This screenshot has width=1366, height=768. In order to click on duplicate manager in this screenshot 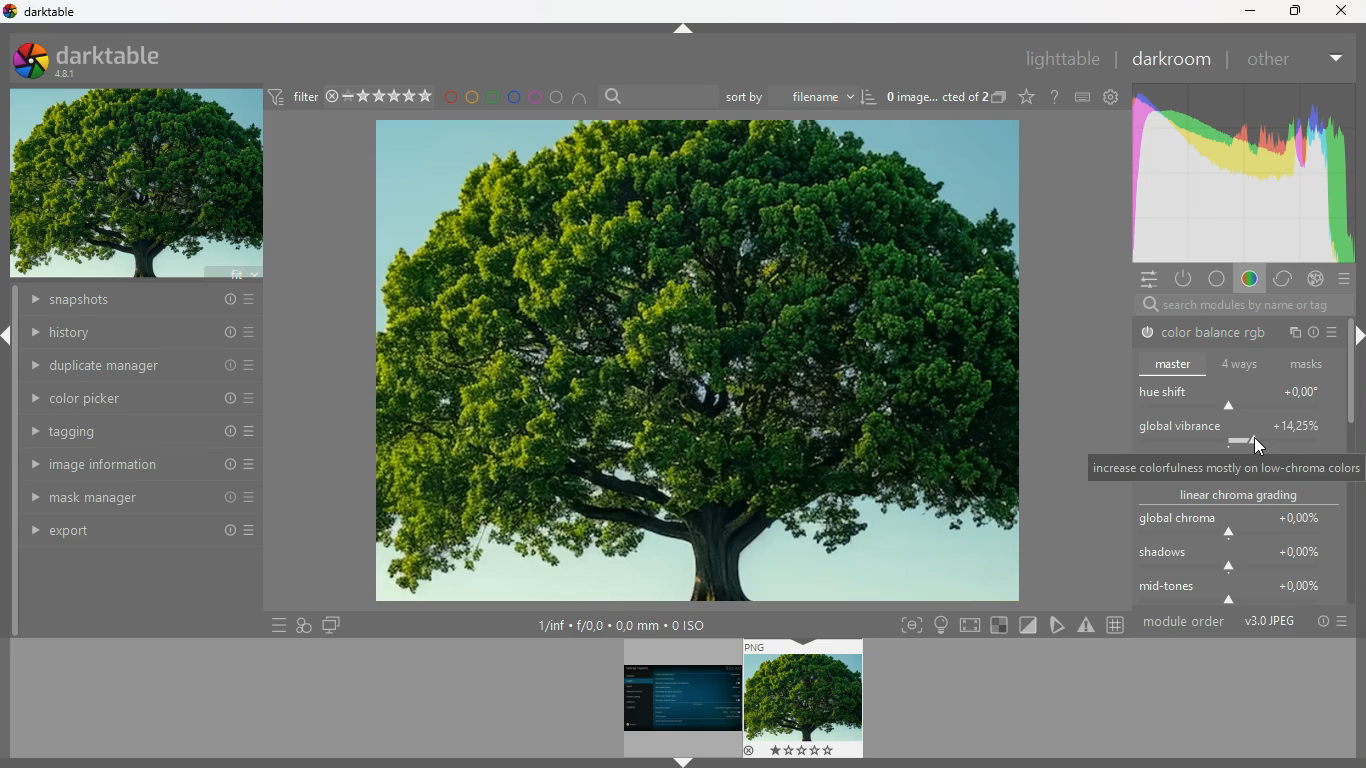, I will do `click(143, 364)`.